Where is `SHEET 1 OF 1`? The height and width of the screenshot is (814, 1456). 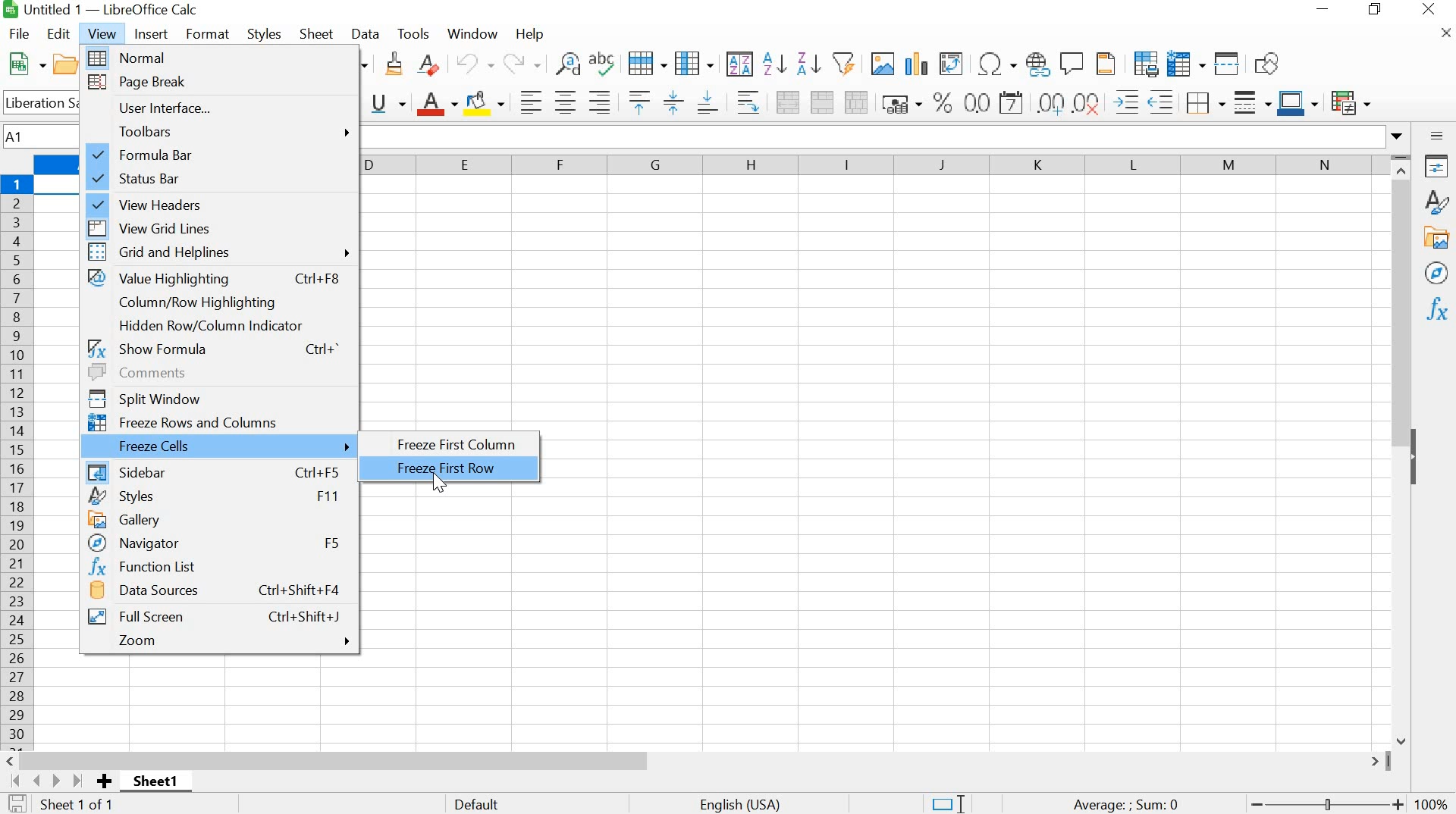
SHEET 1 OF 1 is located at coordinates (86, 806).